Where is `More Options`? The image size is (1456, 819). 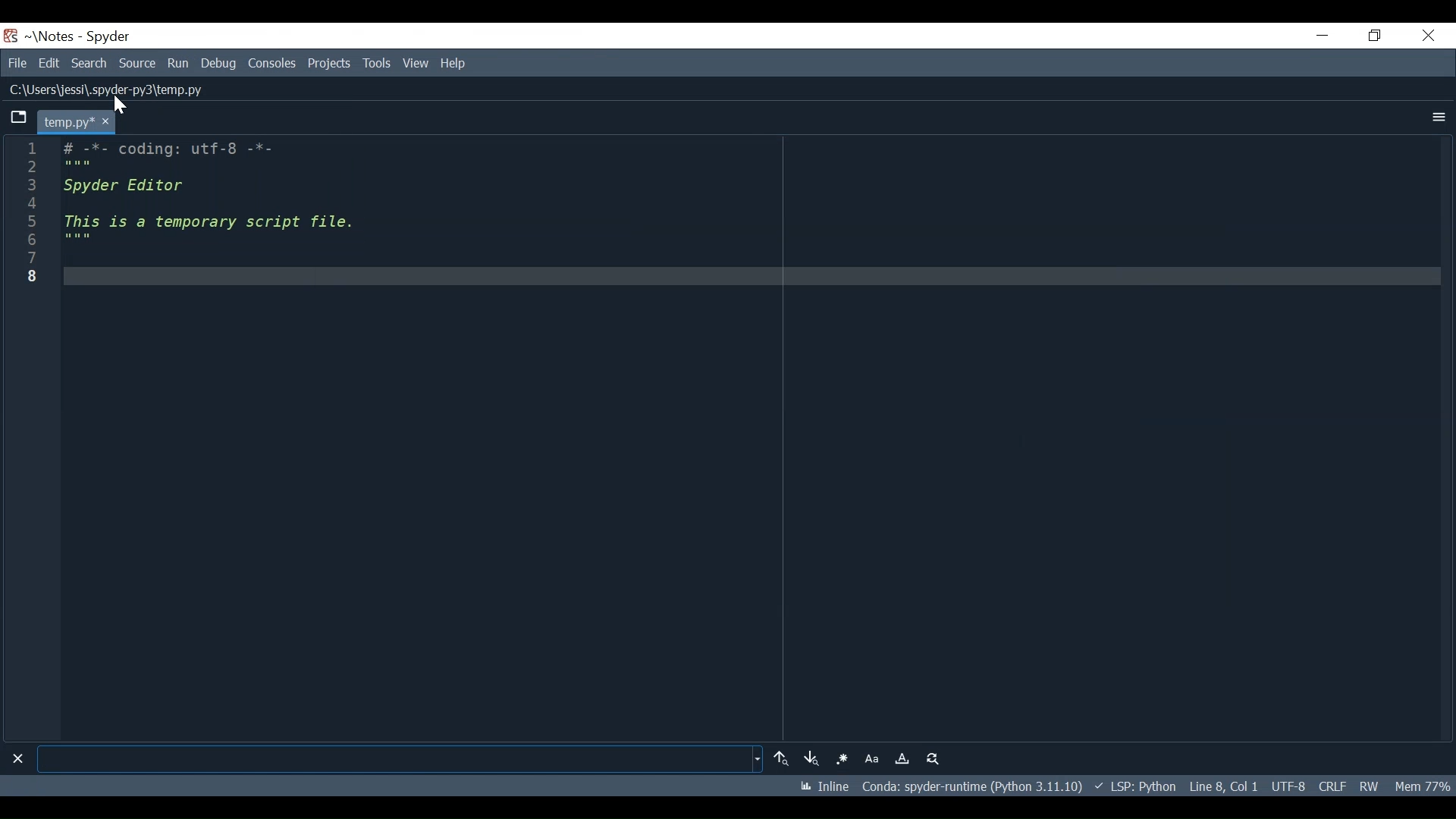
More Options is located at coordinates (1438, 115).